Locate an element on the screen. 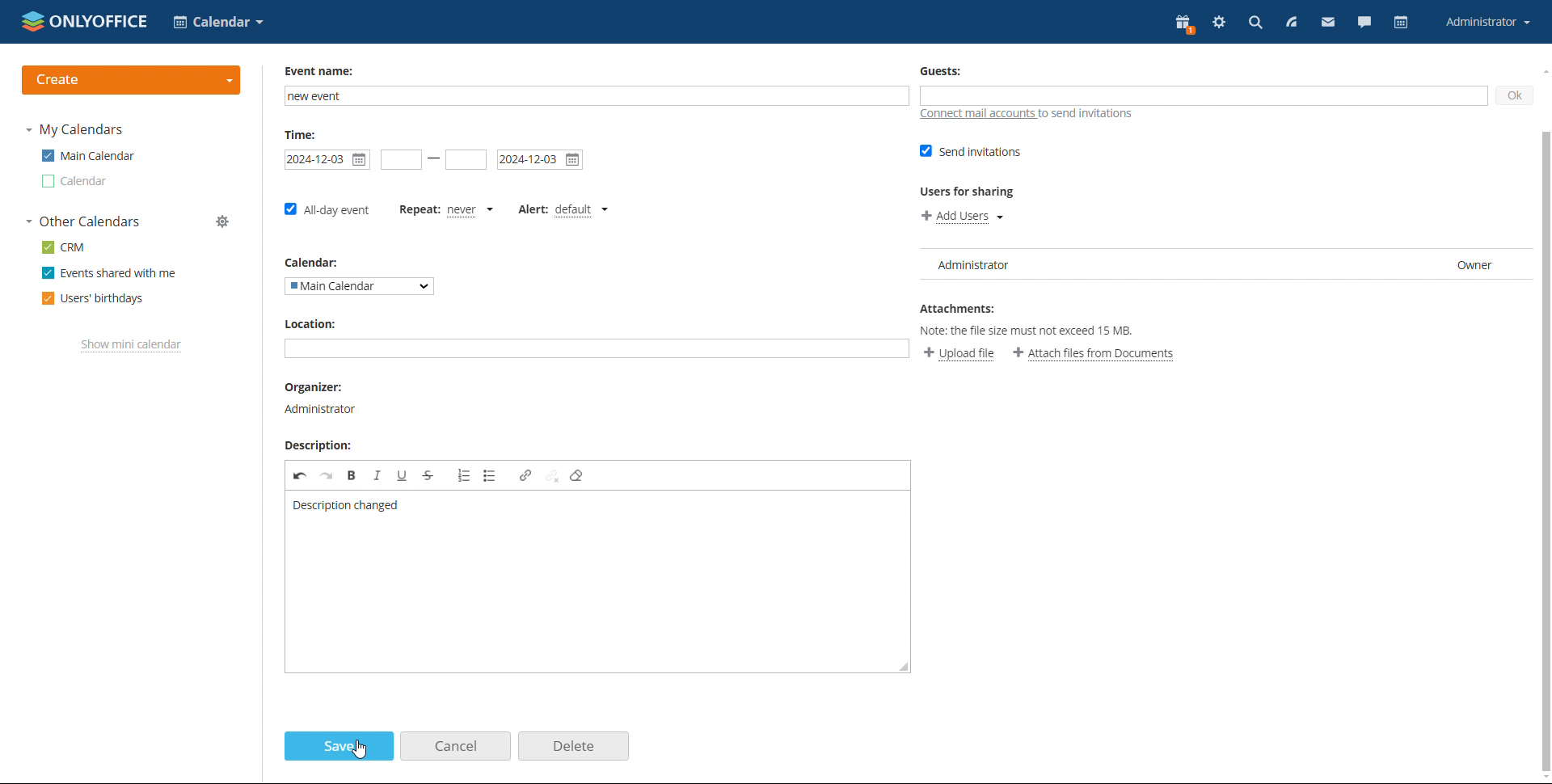 The width and height of the screenshot is (1552, 784). - is located at coordinates (433, 158).